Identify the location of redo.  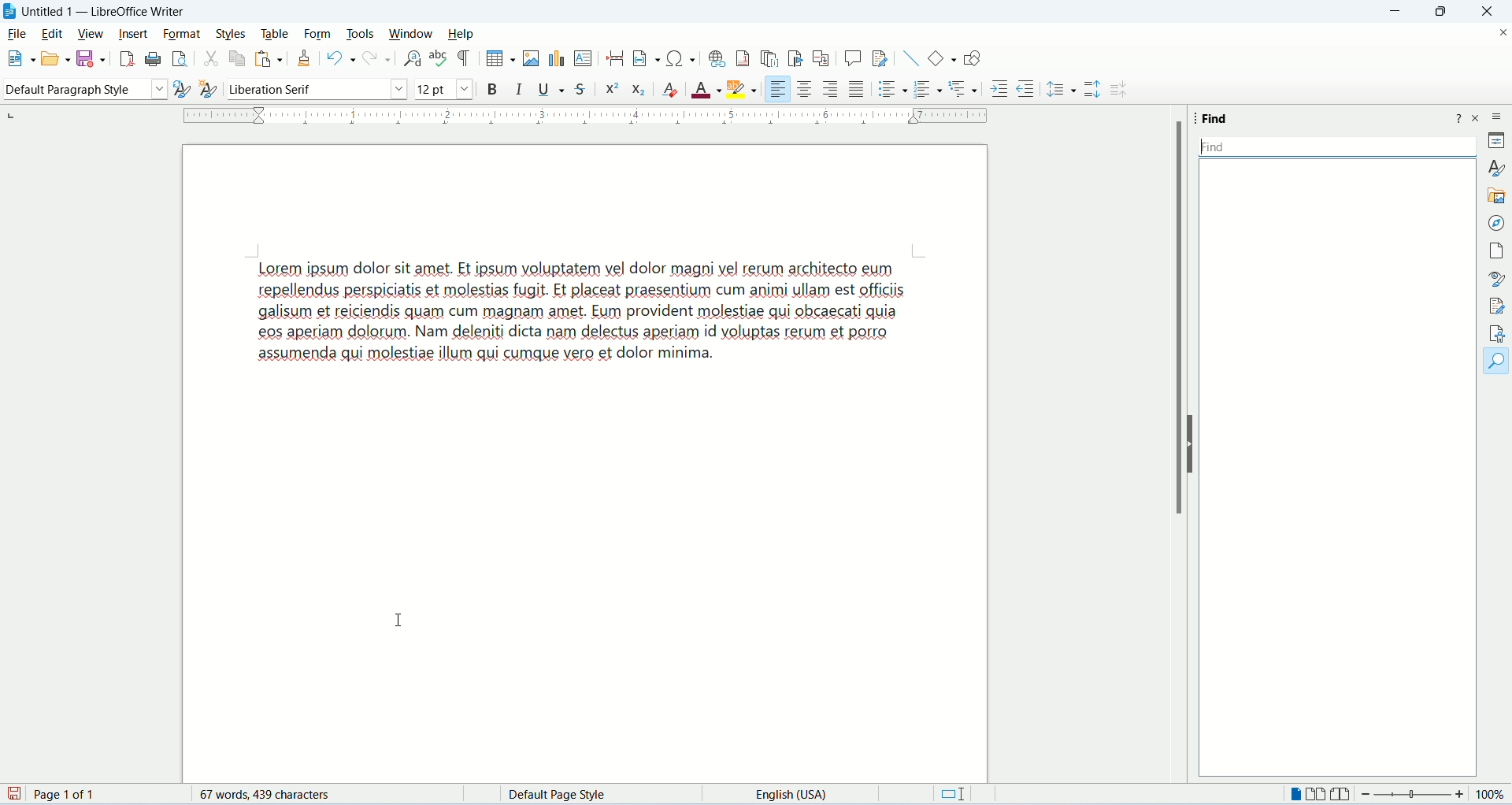
(376, 59).